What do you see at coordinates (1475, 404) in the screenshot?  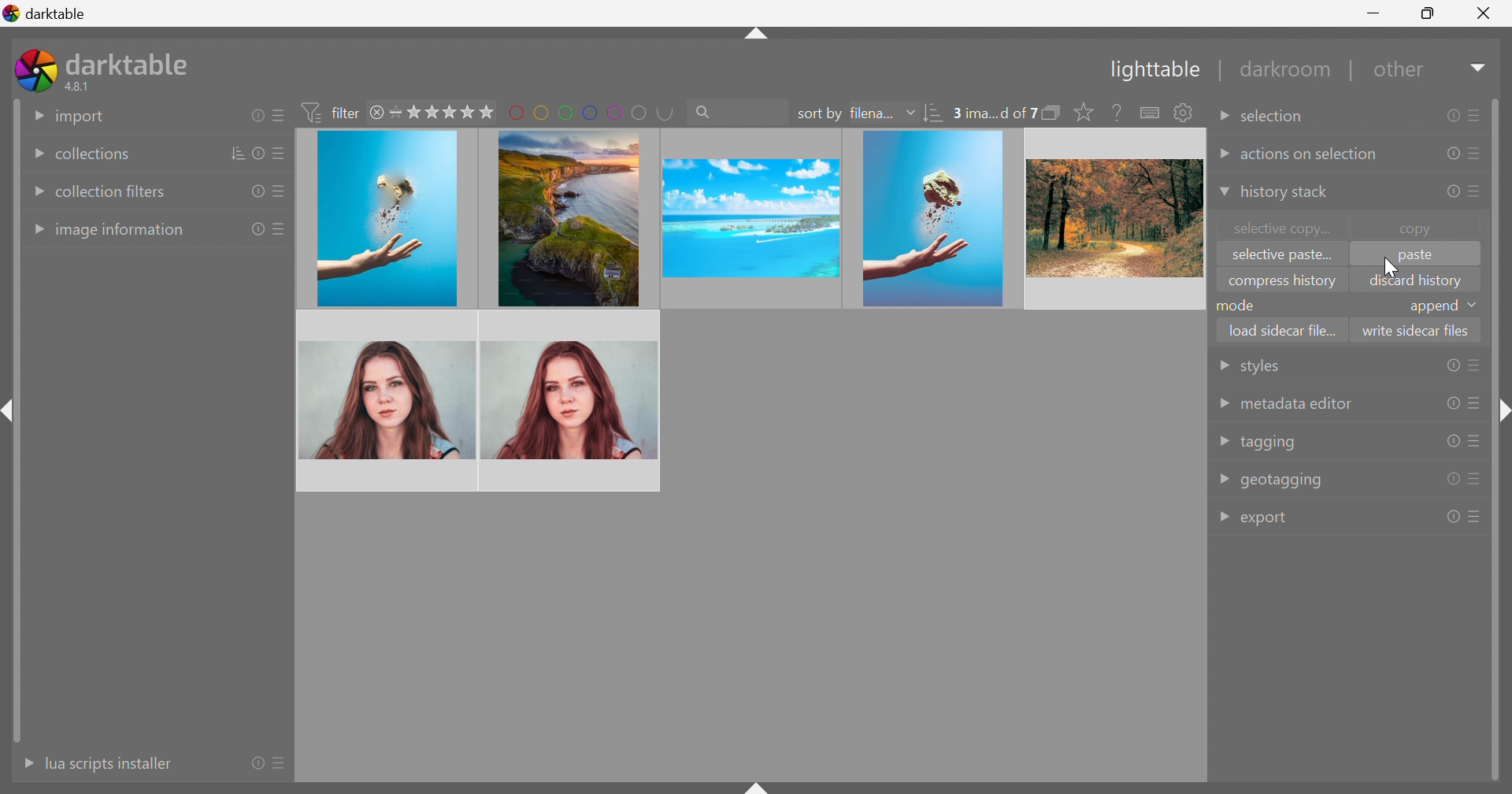 I see `presets` at bounding box center [1475, 404].